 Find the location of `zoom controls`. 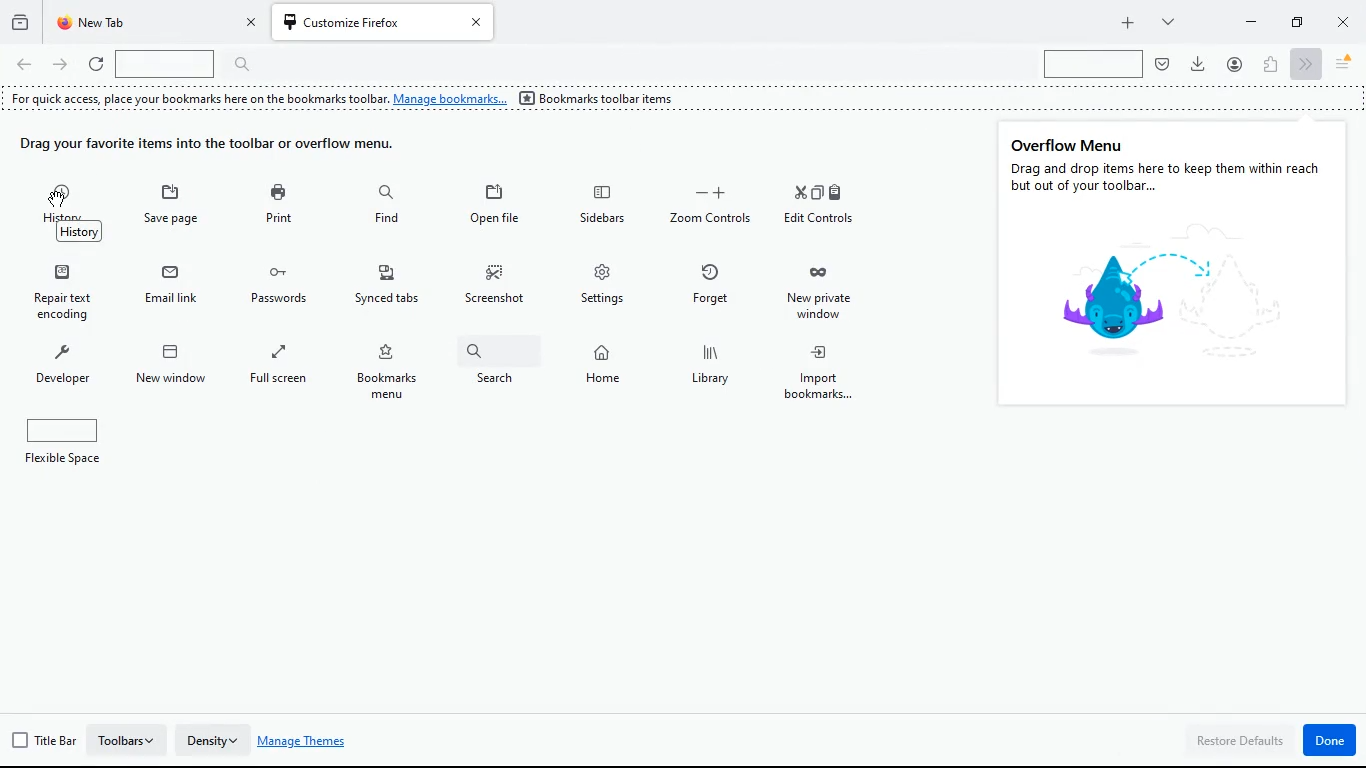

zoom controls is located at coordinates (713, 208).